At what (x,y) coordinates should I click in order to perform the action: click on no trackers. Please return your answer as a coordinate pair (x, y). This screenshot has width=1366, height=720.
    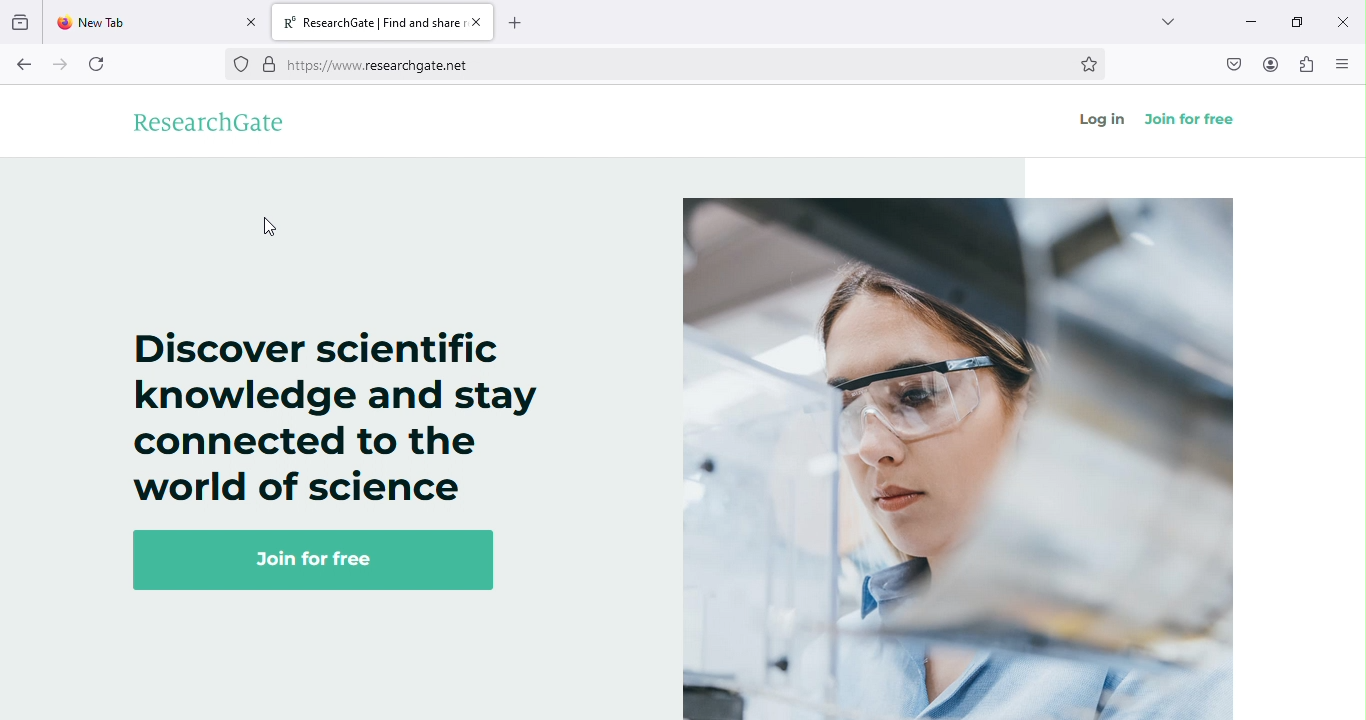
    Looking at the image, I should click on (242, 64).